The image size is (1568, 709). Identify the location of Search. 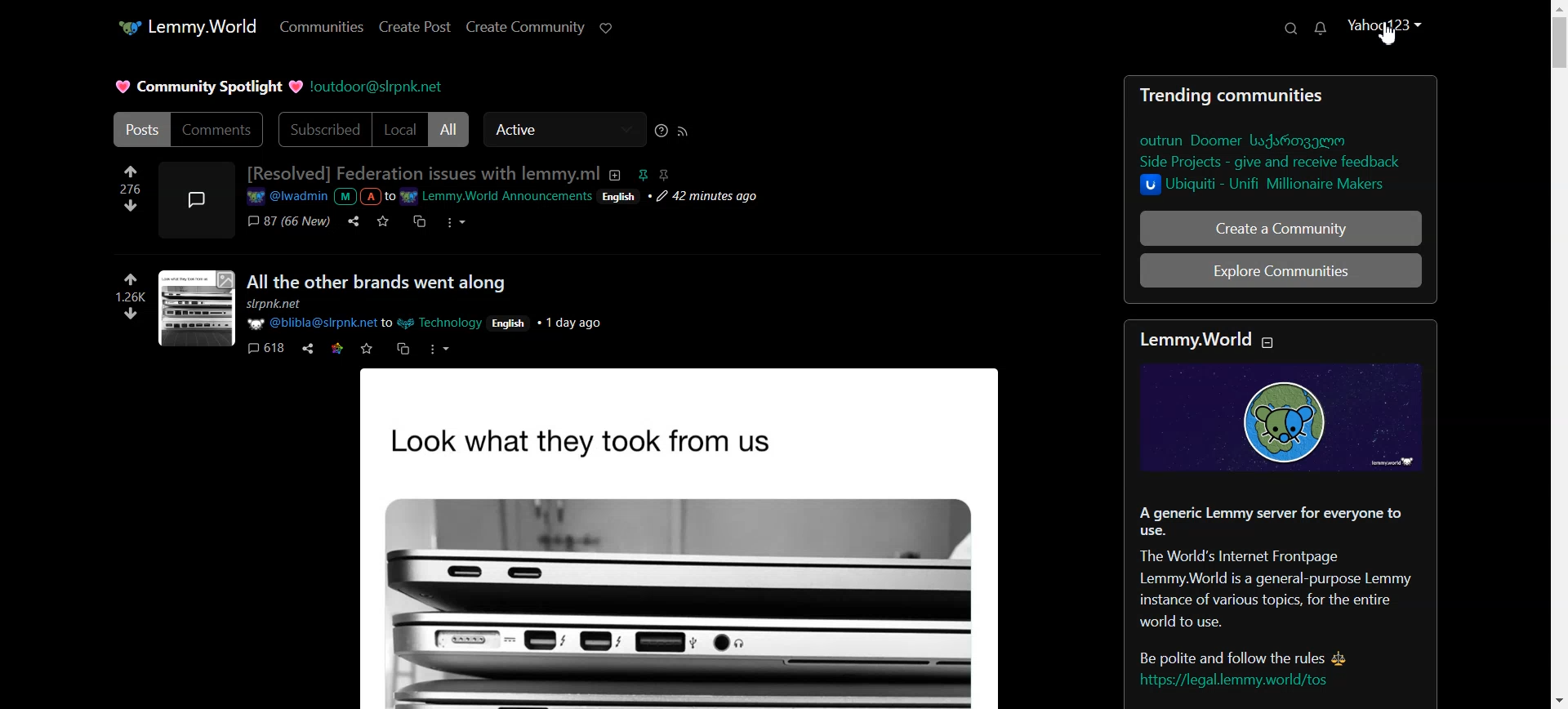
(1290, 28).